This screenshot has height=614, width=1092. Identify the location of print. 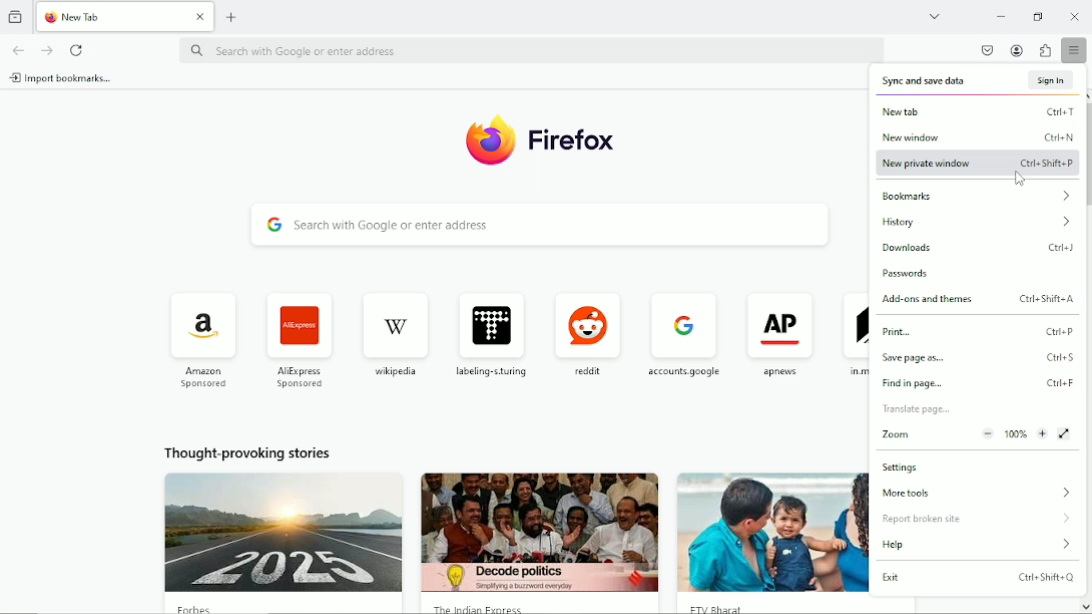
(979, 331).